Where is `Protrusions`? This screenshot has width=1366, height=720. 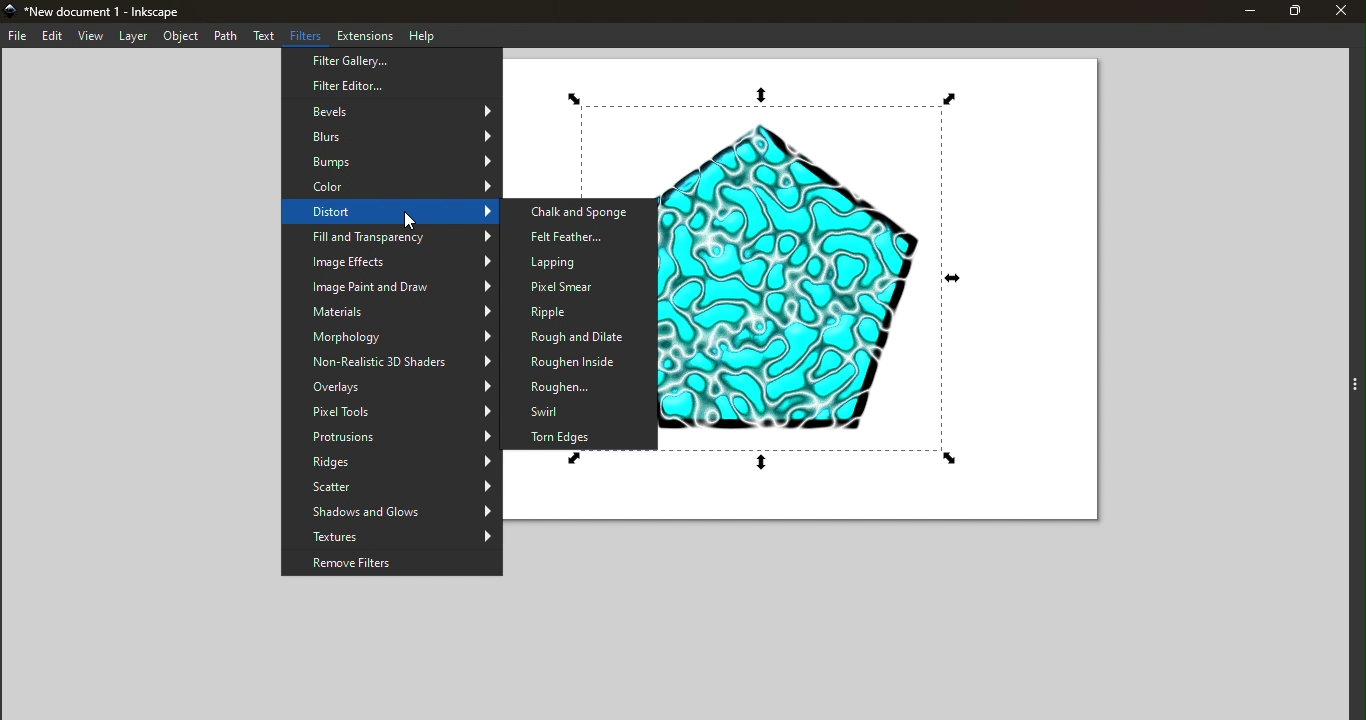 Protrusions is located at coordinates (391, 438).